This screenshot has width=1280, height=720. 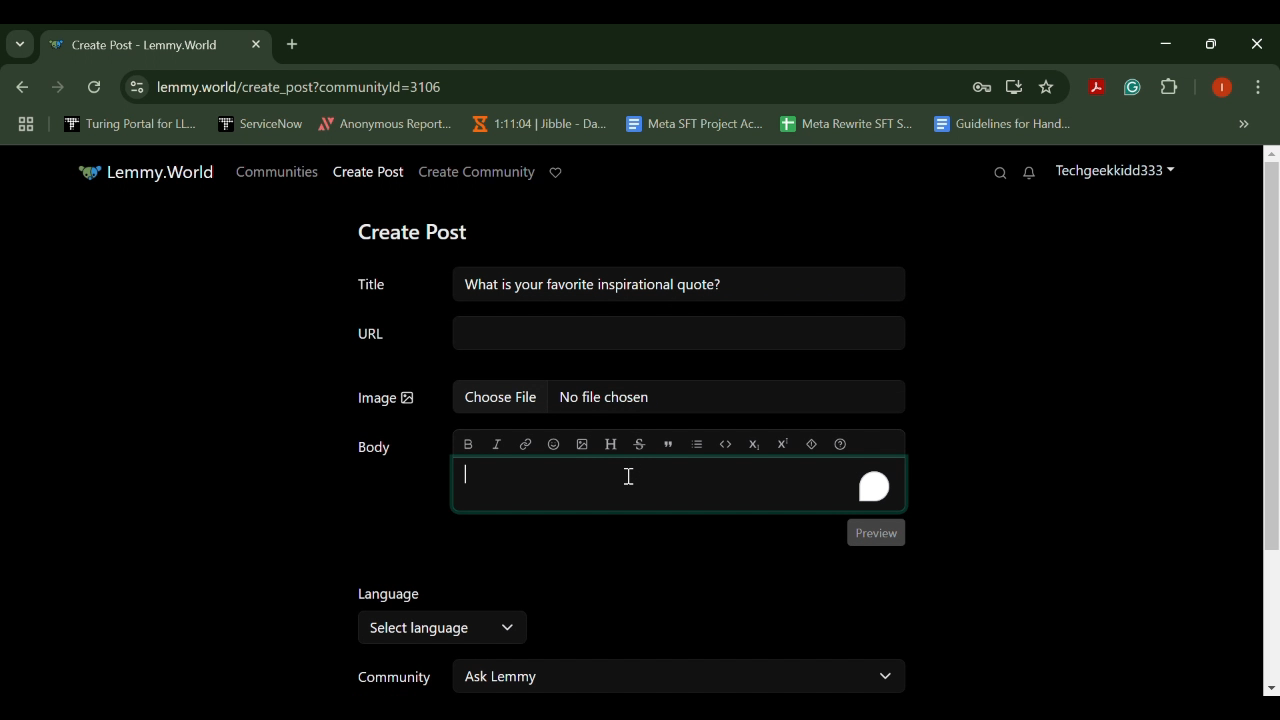 What do you see at coordinates (369, 173) in the screenshot?
I see `Create Post` at bounding box center [369, 173].